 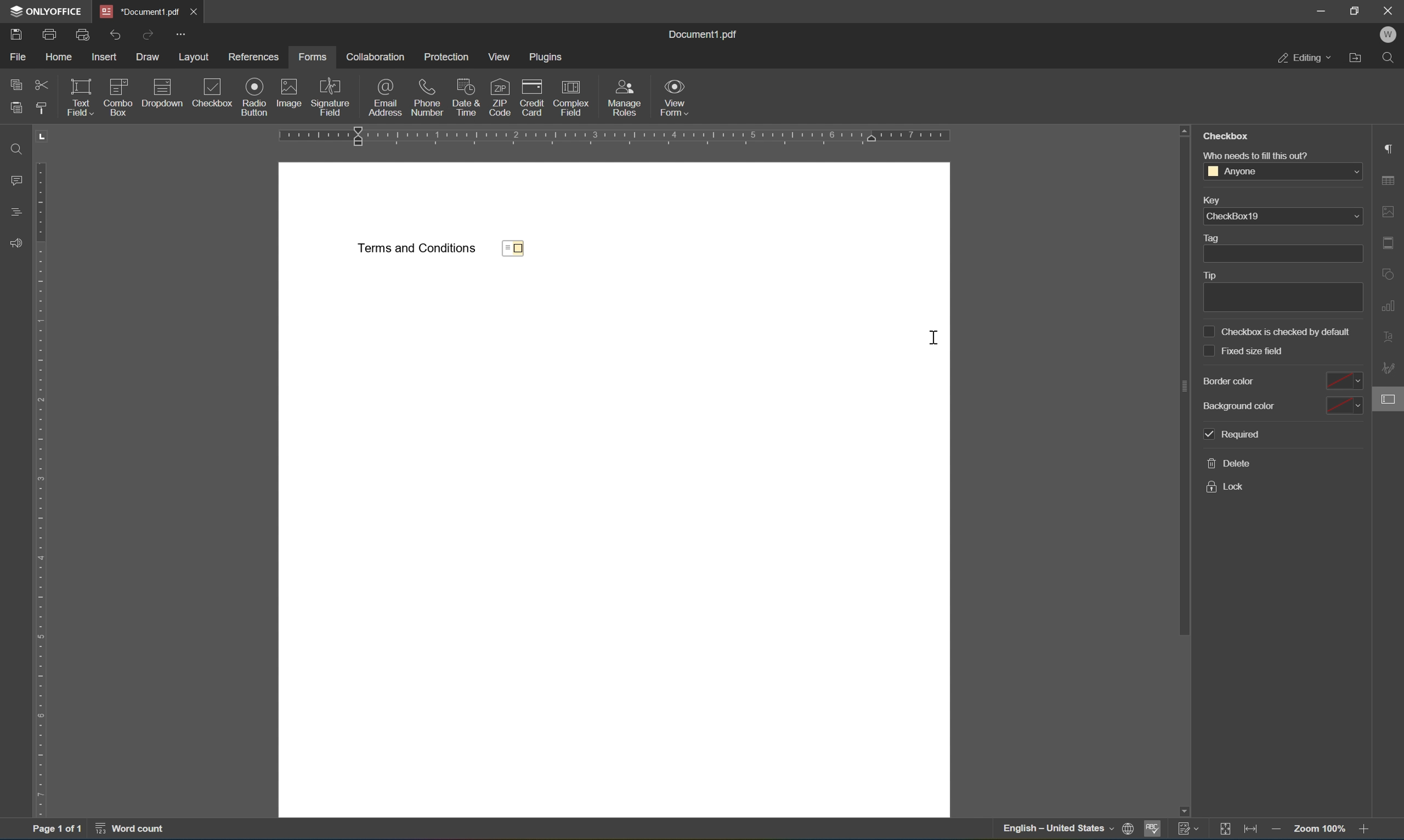 I want to click on dropdown, so click(x=162, y=92).